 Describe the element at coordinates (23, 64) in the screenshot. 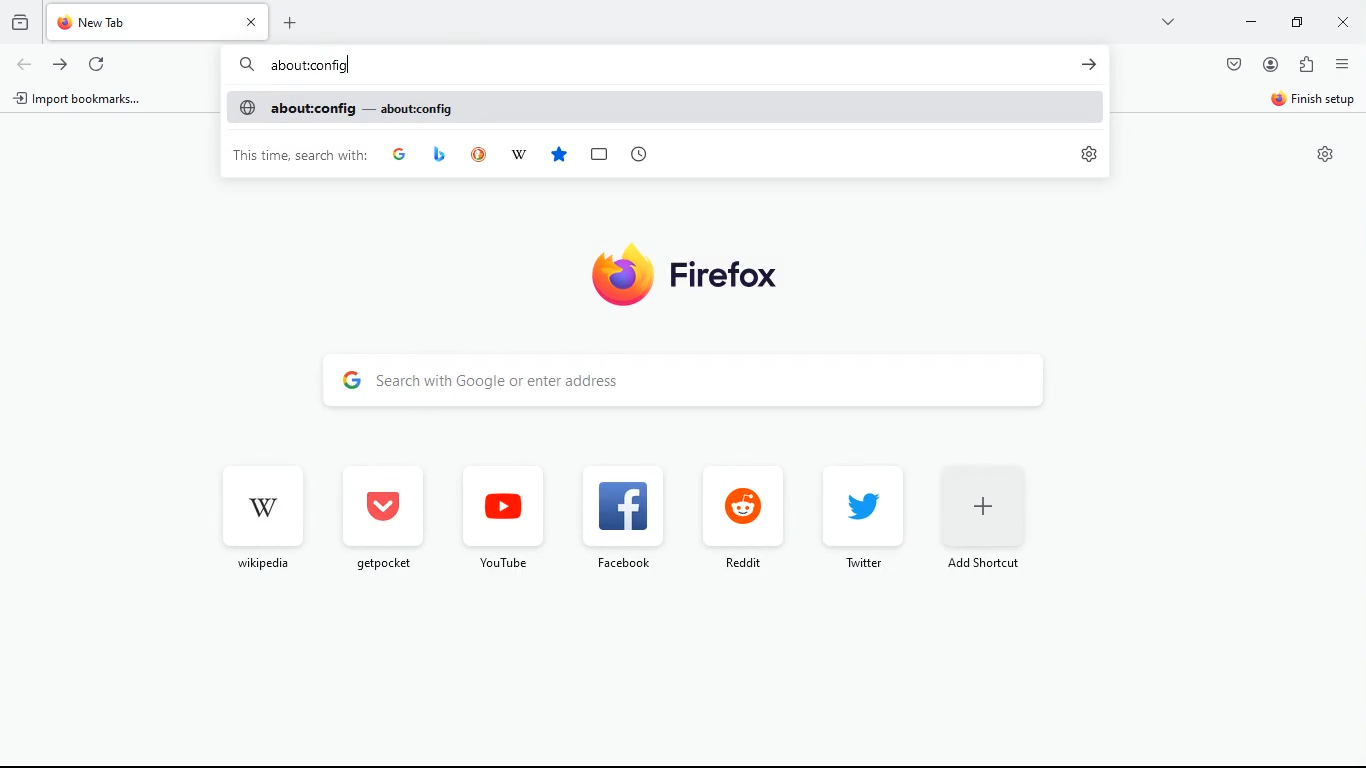

I see `back` at that location.